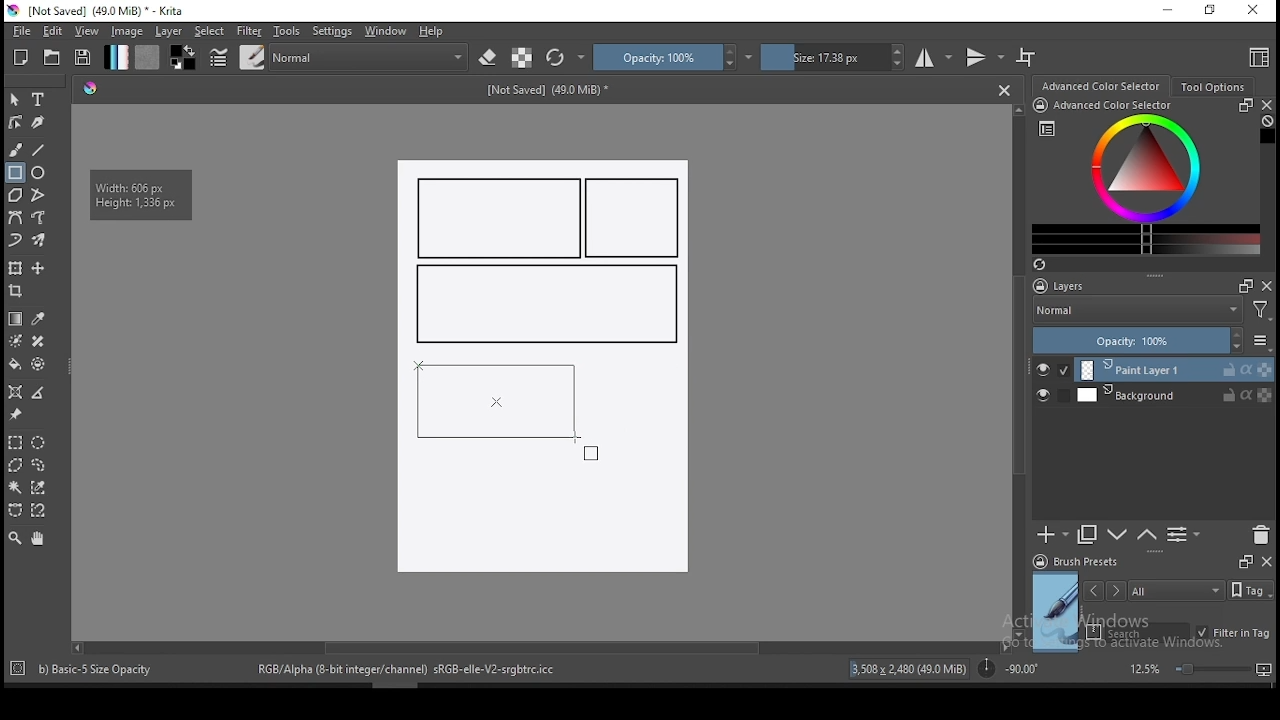 The image size is (1280, 720). I want to click on Filter, so click(1261, 313).